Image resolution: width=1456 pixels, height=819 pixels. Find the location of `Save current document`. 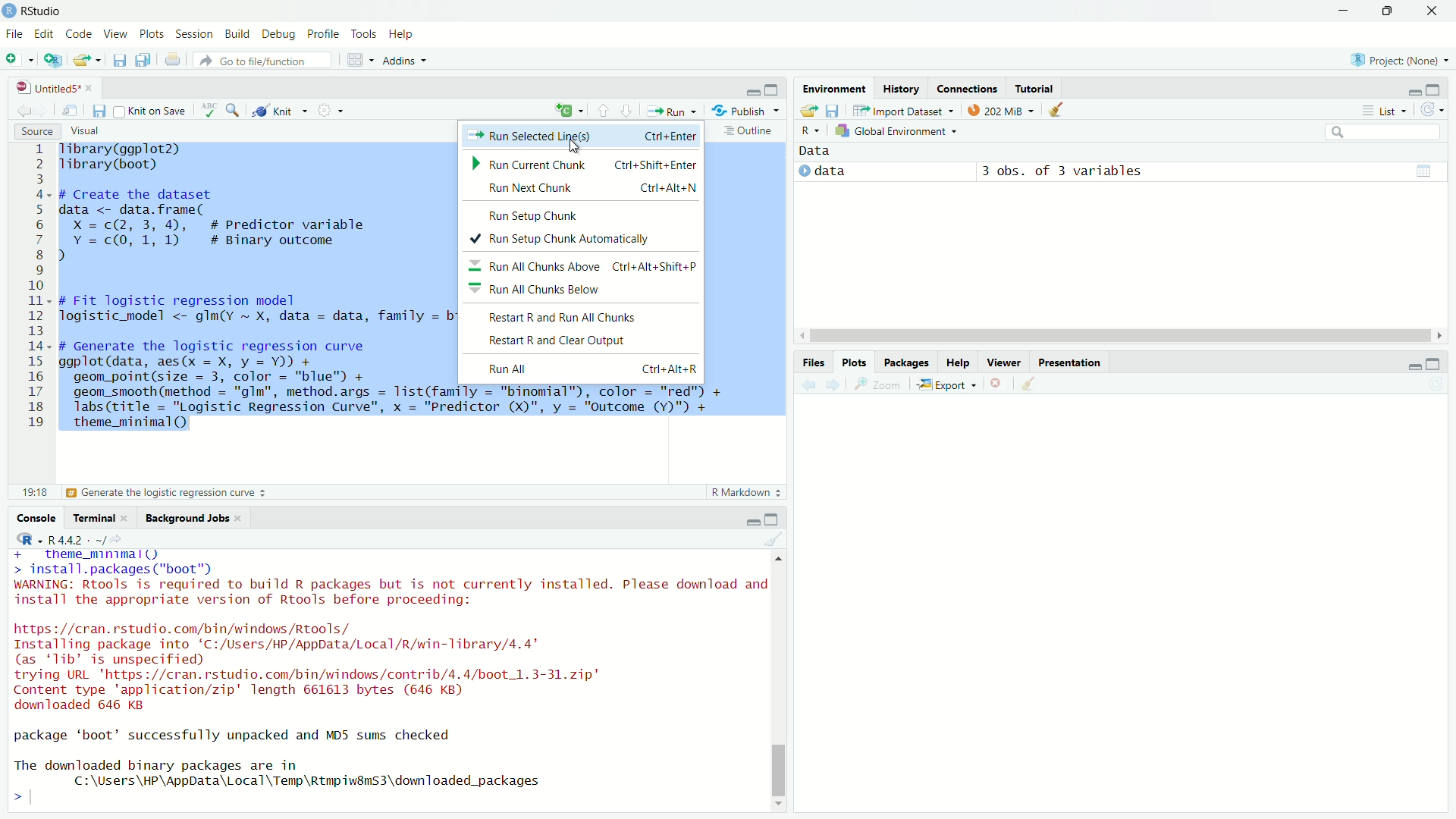

Save current document is located at coordinates (119, 59).